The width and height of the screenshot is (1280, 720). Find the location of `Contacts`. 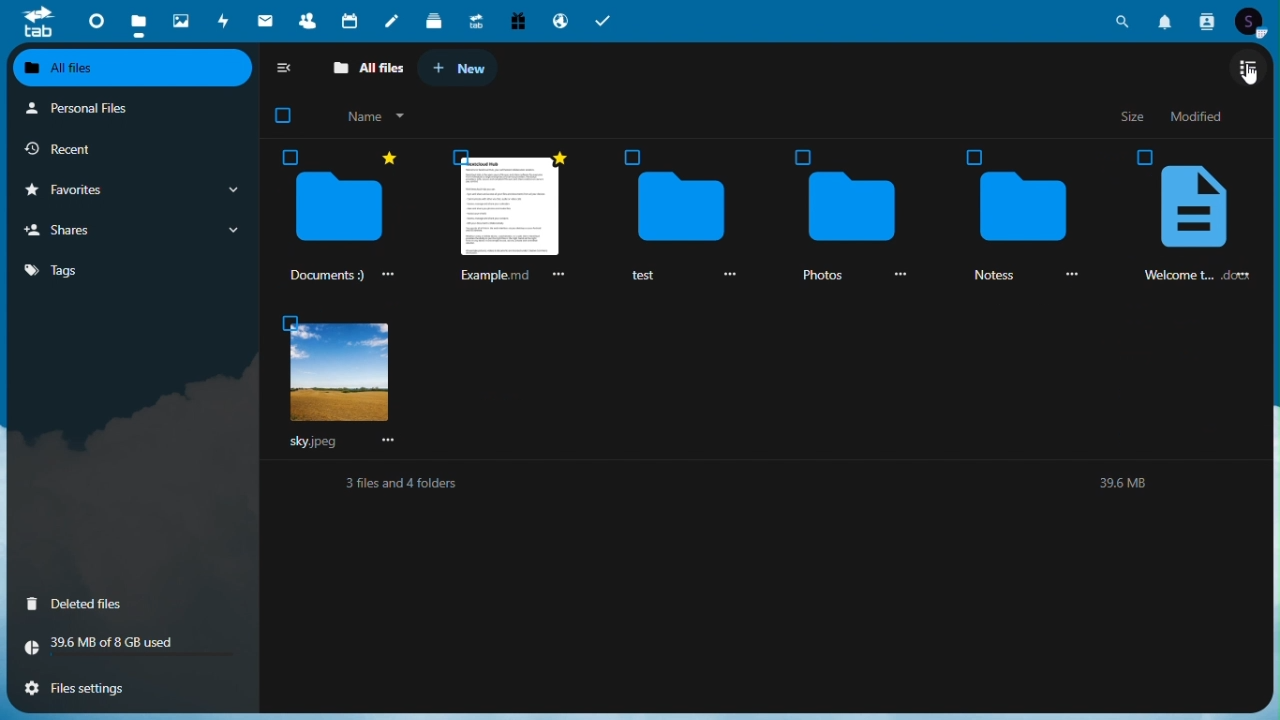

Contacts is located at coordinates (1207, 21).